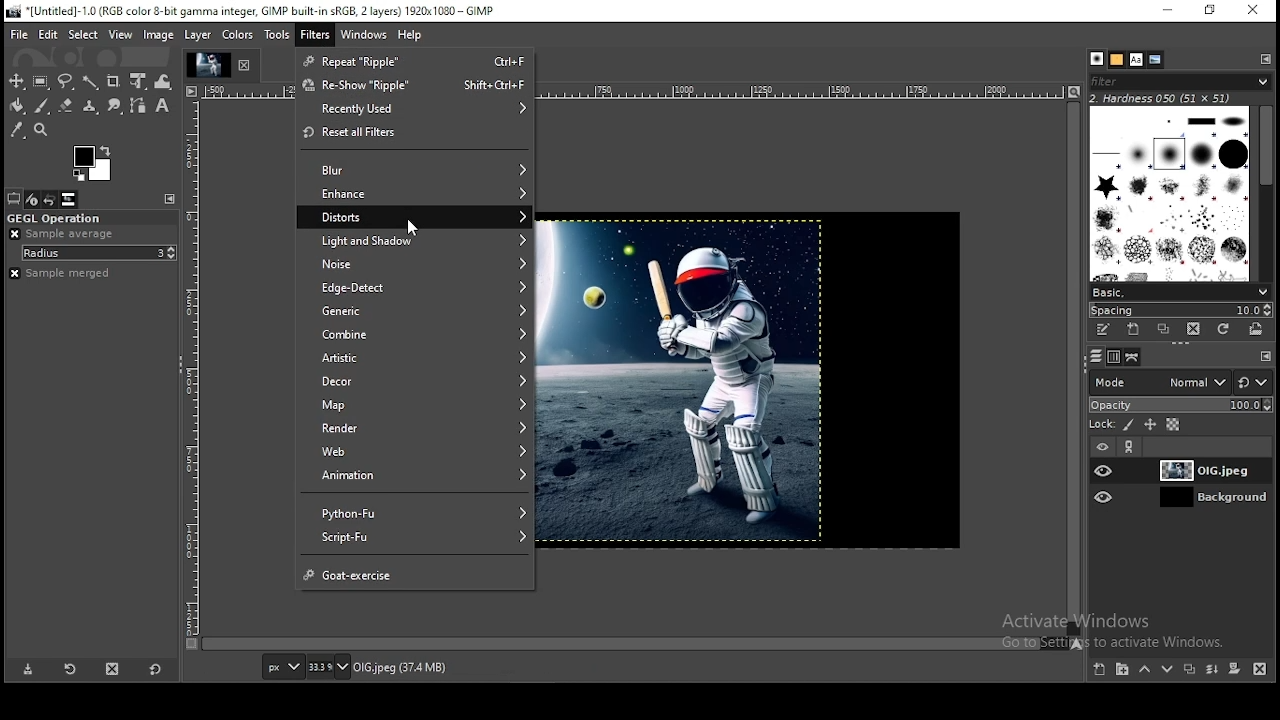 The image size is (1280, 720). Describe the element at coordinates (328, 668) in the screenshot. I see `zoom level` at that location.